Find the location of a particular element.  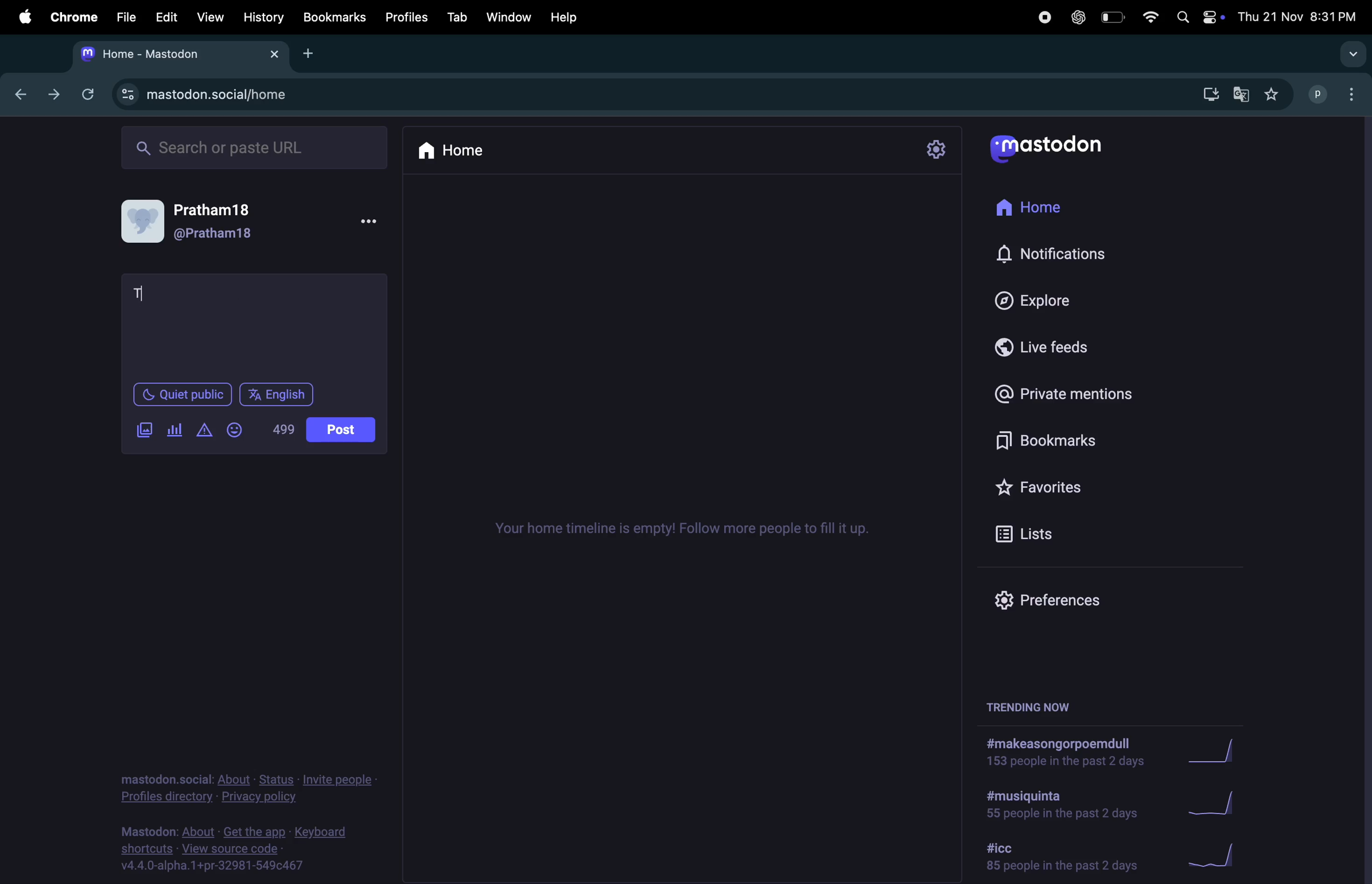

battery is located at coordinates (1113, 18).